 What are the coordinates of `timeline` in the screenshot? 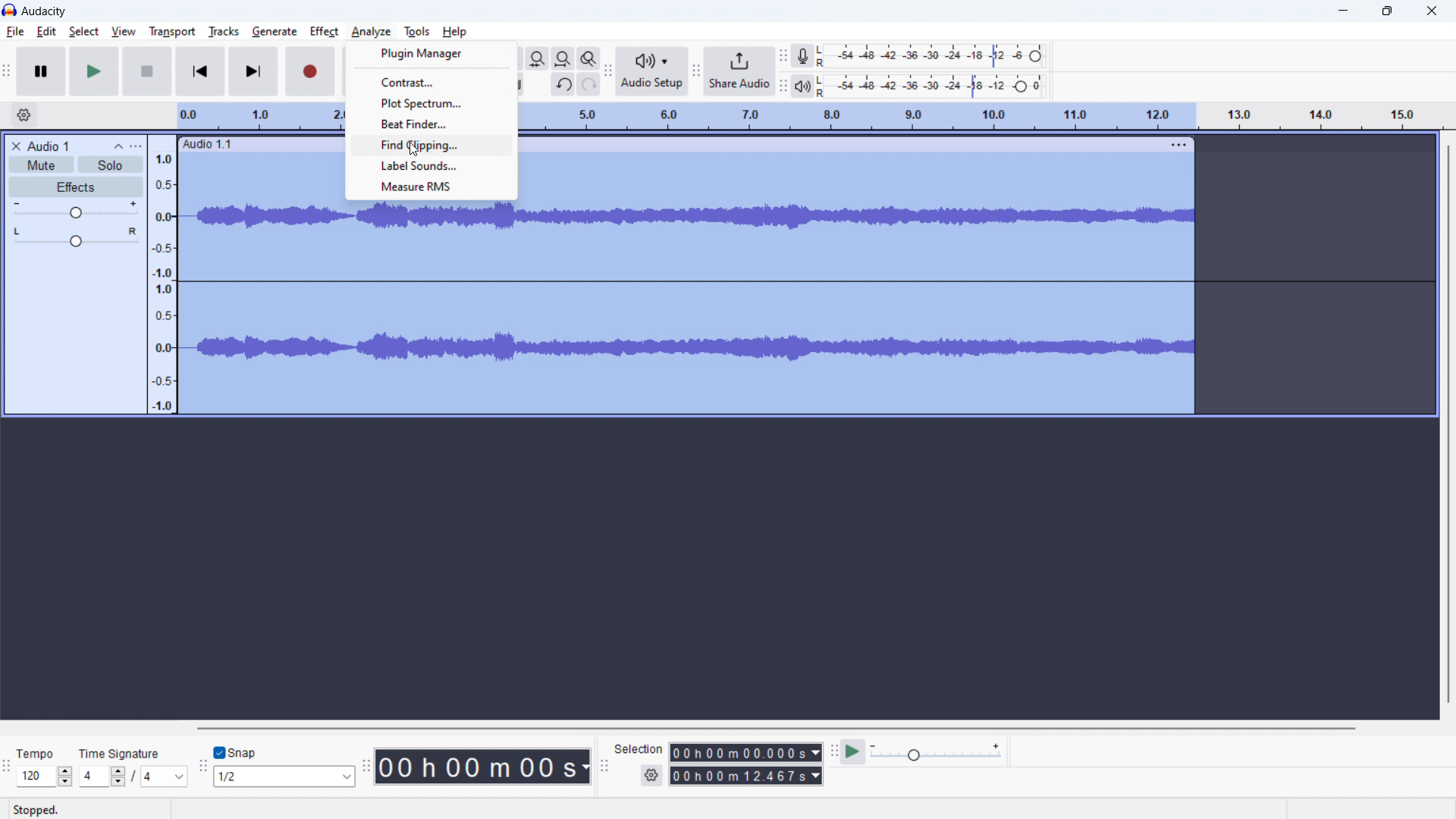 It's located at (982, 116).